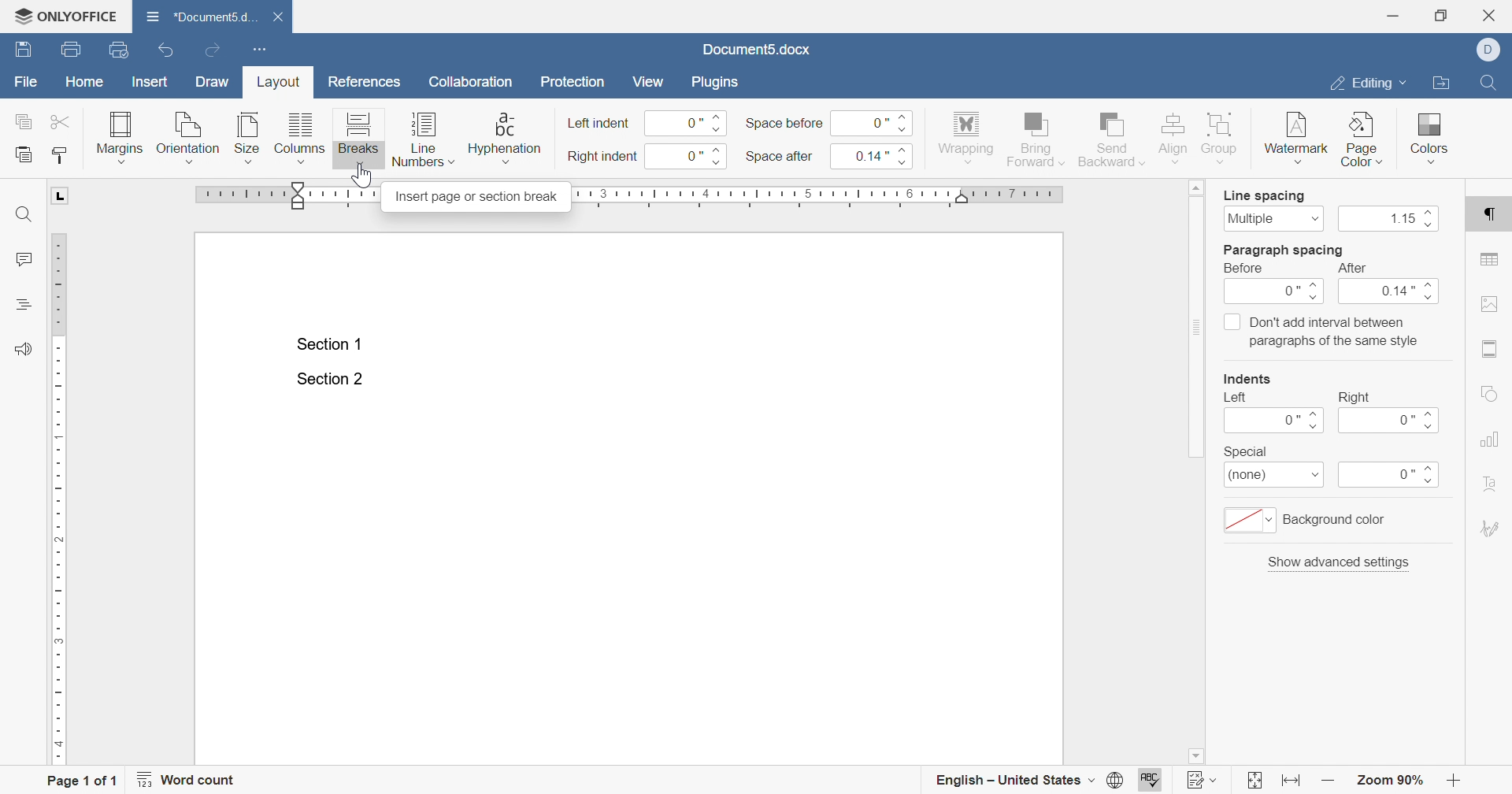 This screenshot has height=794, width=1512. Describe the element at coordinates (1392, 421) in the screenshot. I see `0` at that location.